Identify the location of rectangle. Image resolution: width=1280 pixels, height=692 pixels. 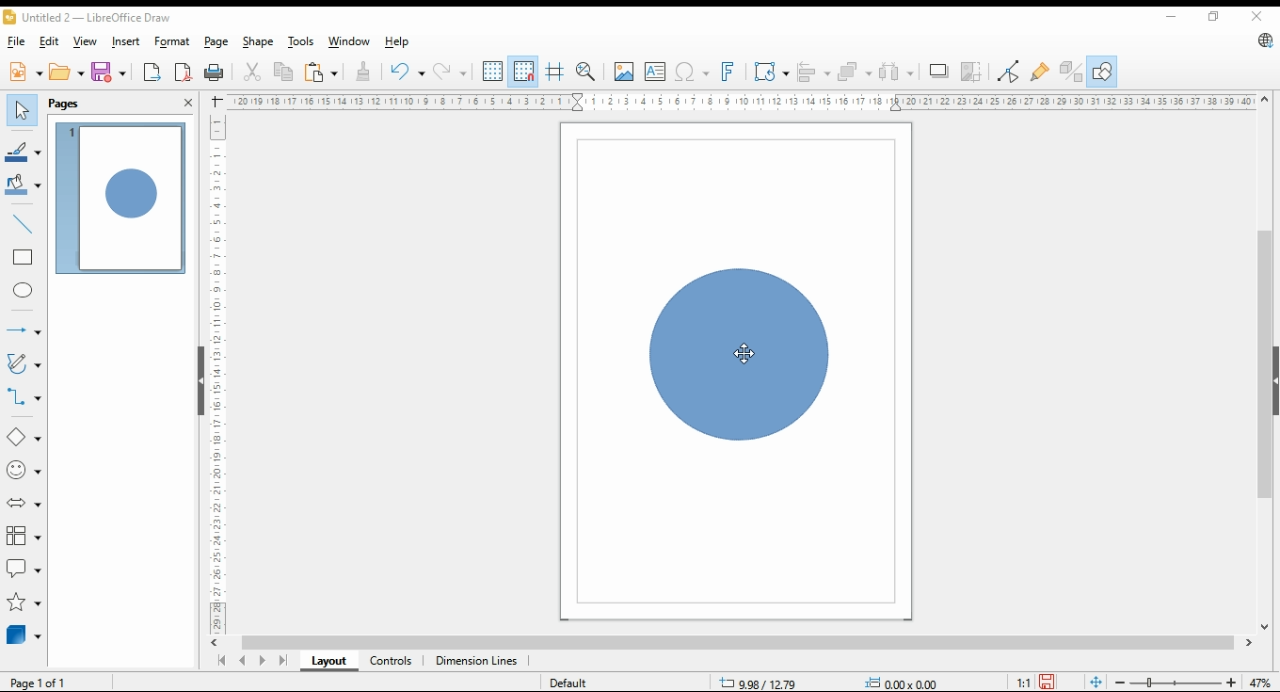
(23, 258).